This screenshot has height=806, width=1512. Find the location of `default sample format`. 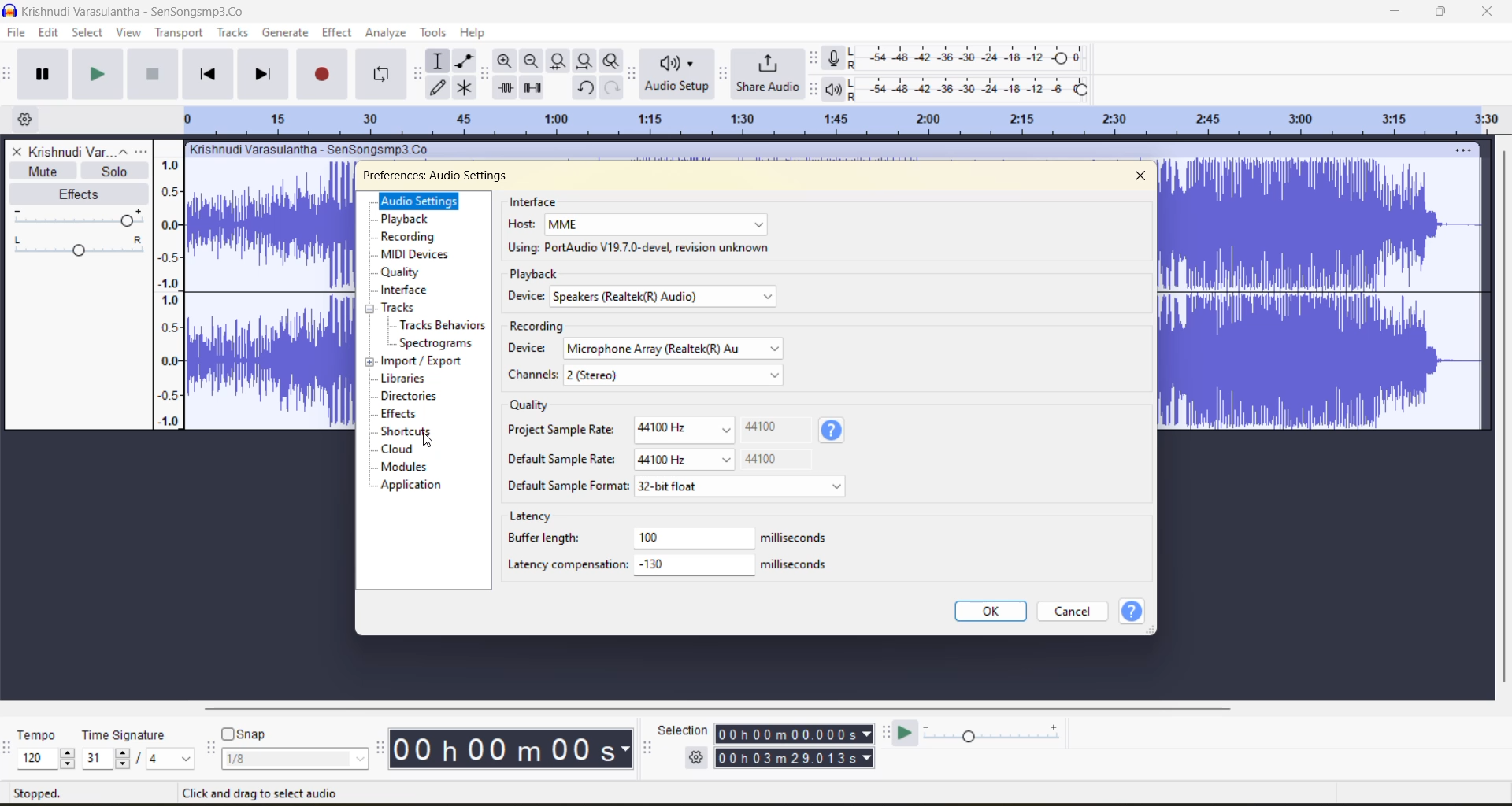

default sample format is located at coordinates (679, 484).